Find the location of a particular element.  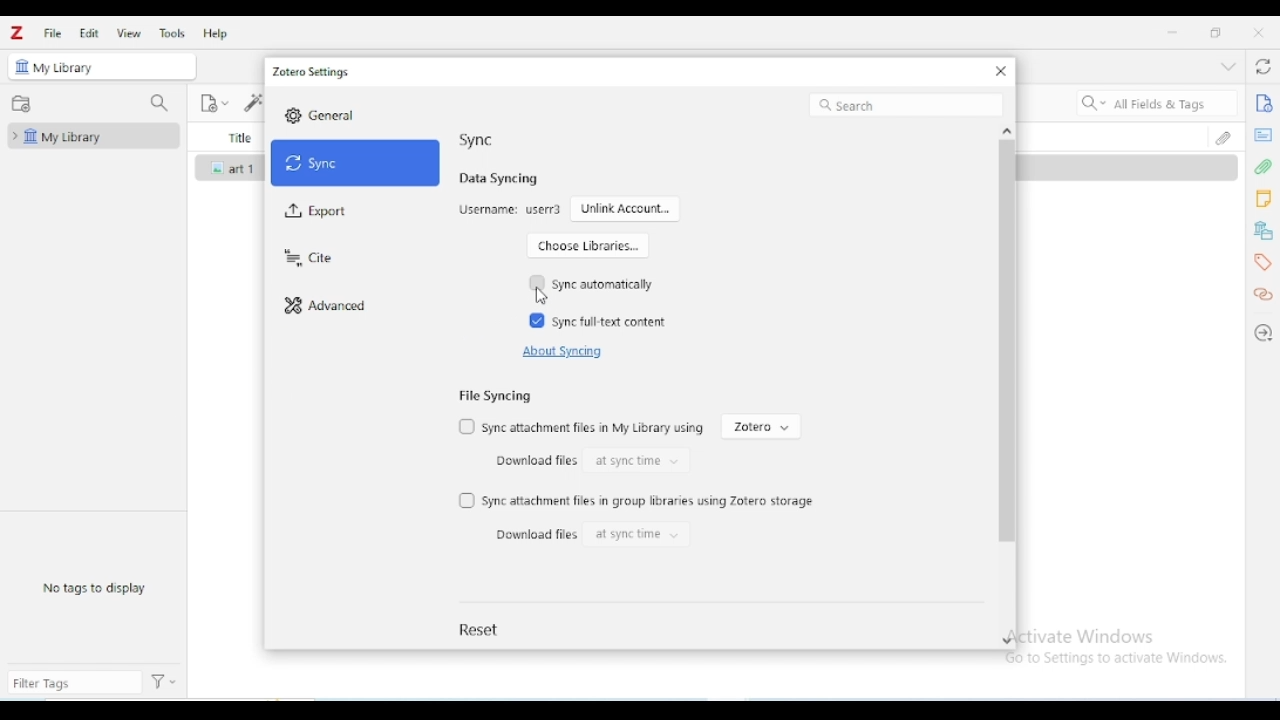

maximize is located at coordinates (1215, 32).